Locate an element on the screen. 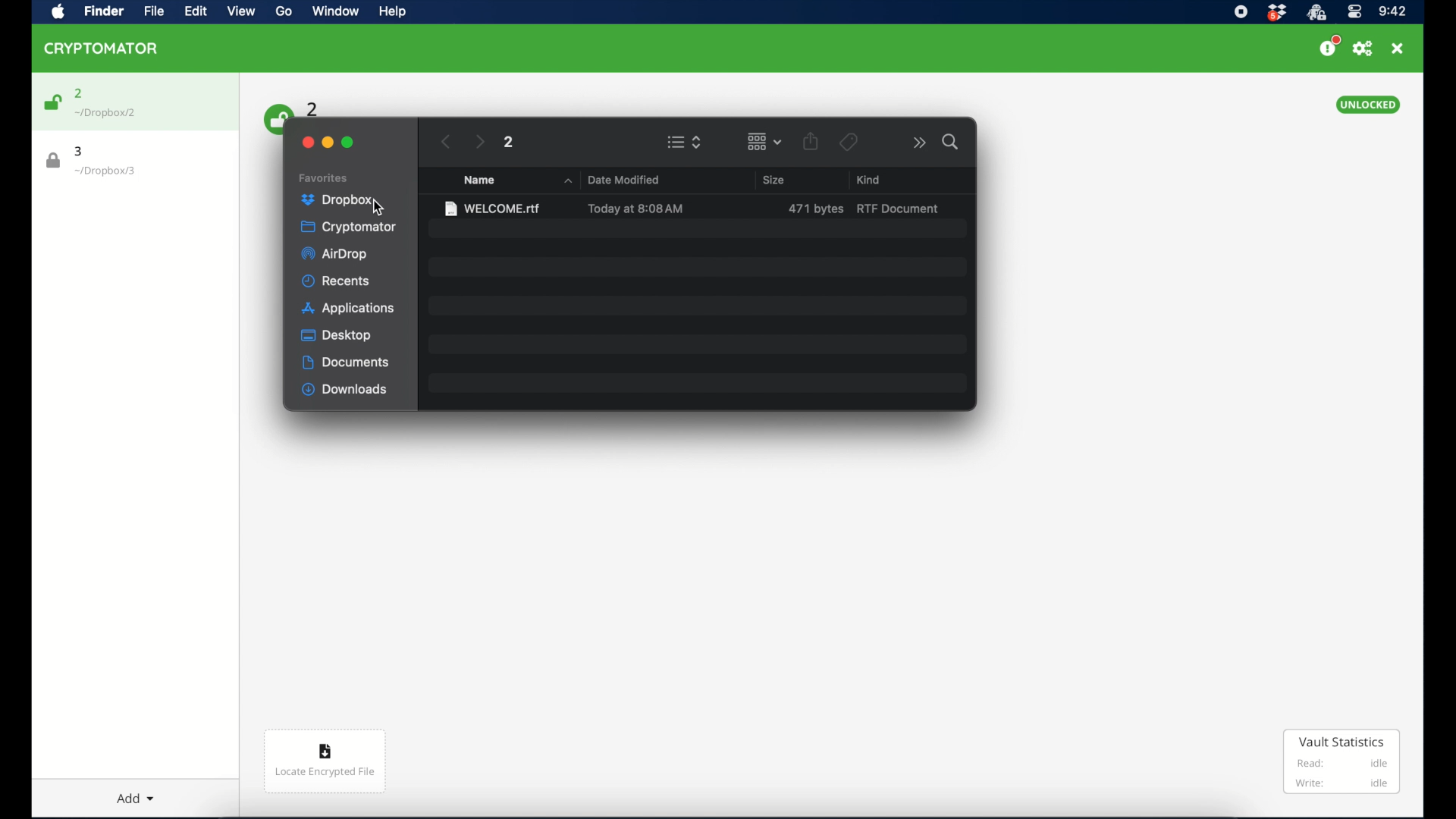 The width and height of the screenshot is (1456, 819). airdrop is located at coordinates (334, 254).